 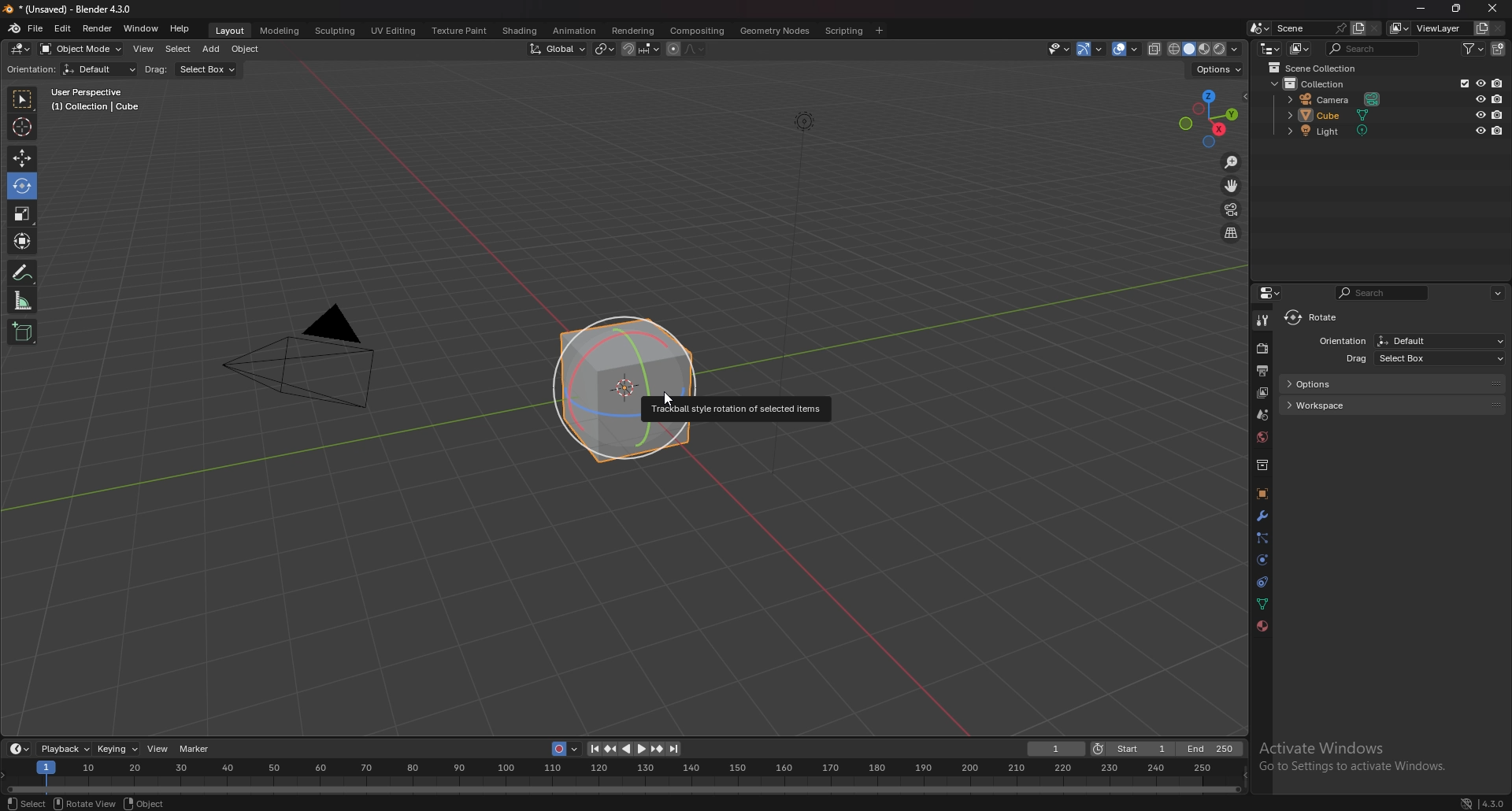 What do you see at coordinates (1232, 185) in the screenshot?
I see `move` at bounding box center [1232, 185].